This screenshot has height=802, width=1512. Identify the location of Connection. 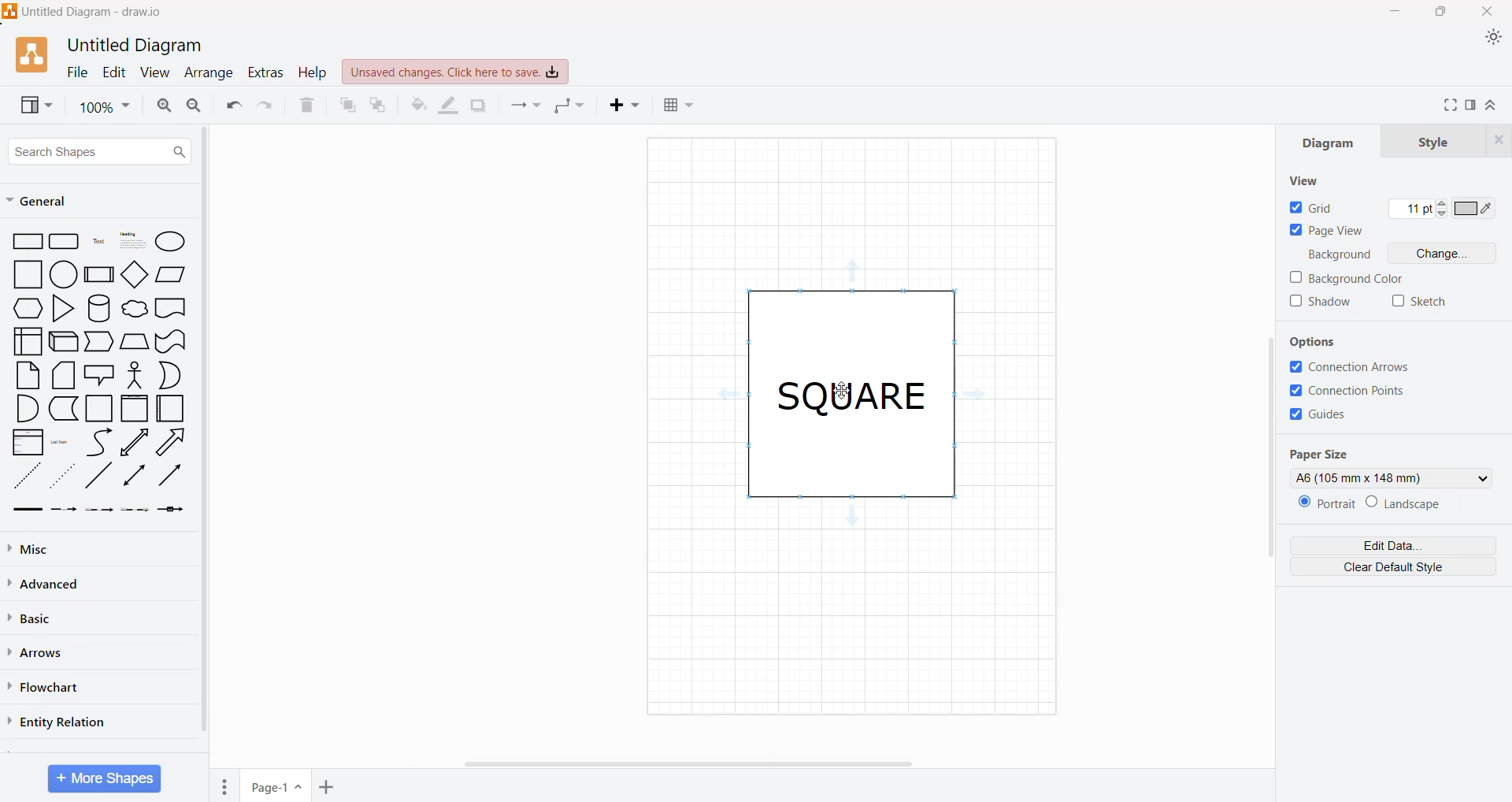
(524, 106).